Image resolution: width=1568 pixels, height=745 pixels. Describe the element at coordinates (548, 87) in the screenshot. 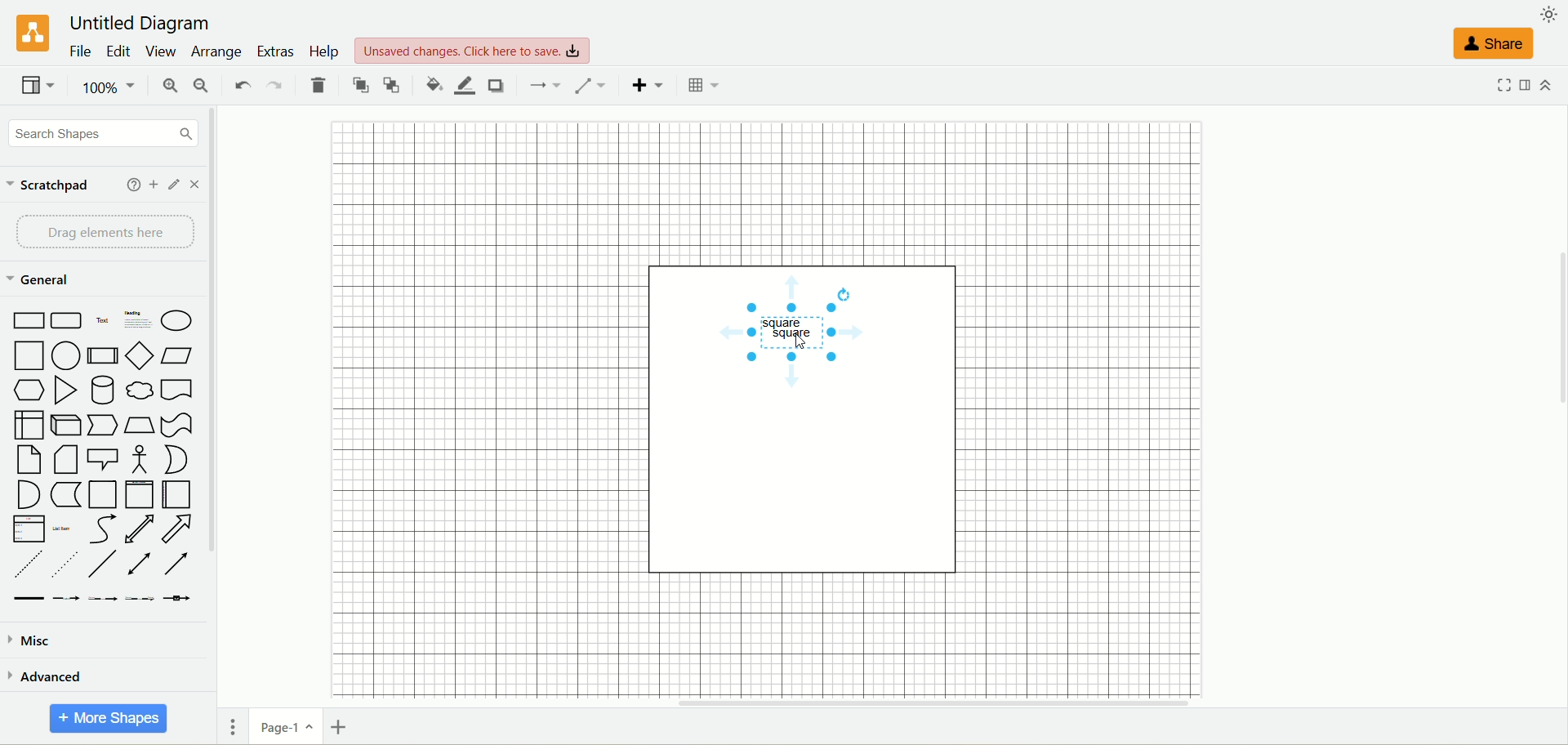

I see `connection` at that location.